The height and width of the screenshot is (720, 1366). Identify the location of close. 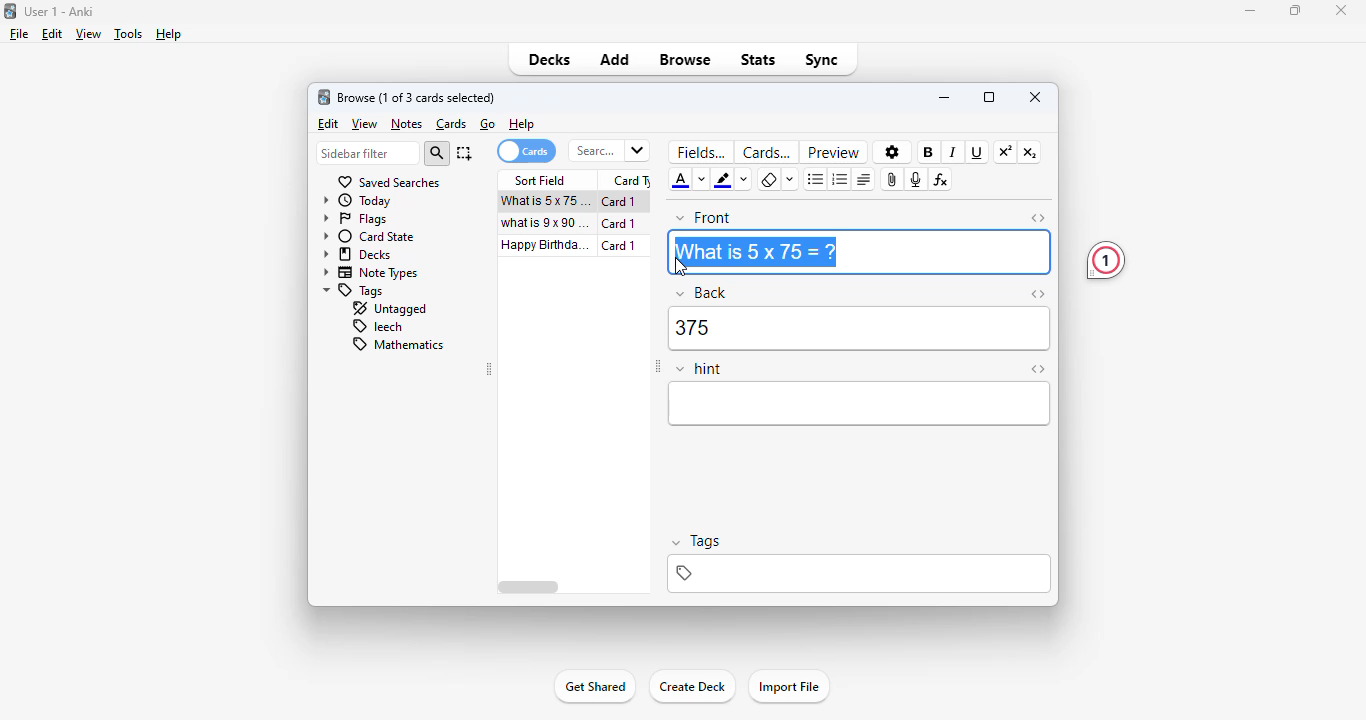
(1341, 11).